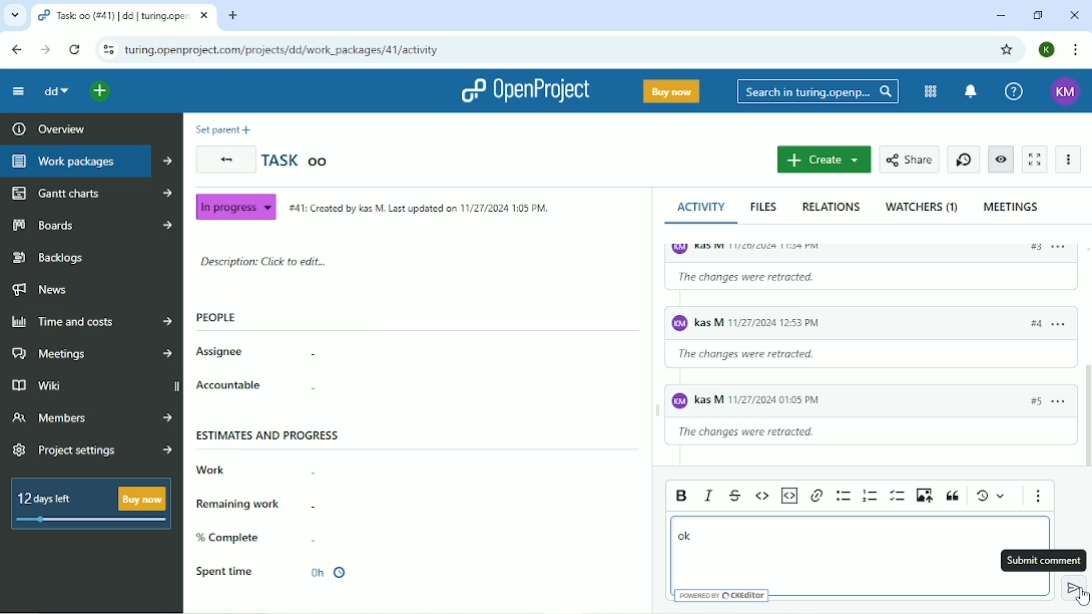 This screenshot has width=1092, height=614. What do you see at coordinates (823, 160) in the screenshot?
I see `Create` at bounding box center [823, 160].